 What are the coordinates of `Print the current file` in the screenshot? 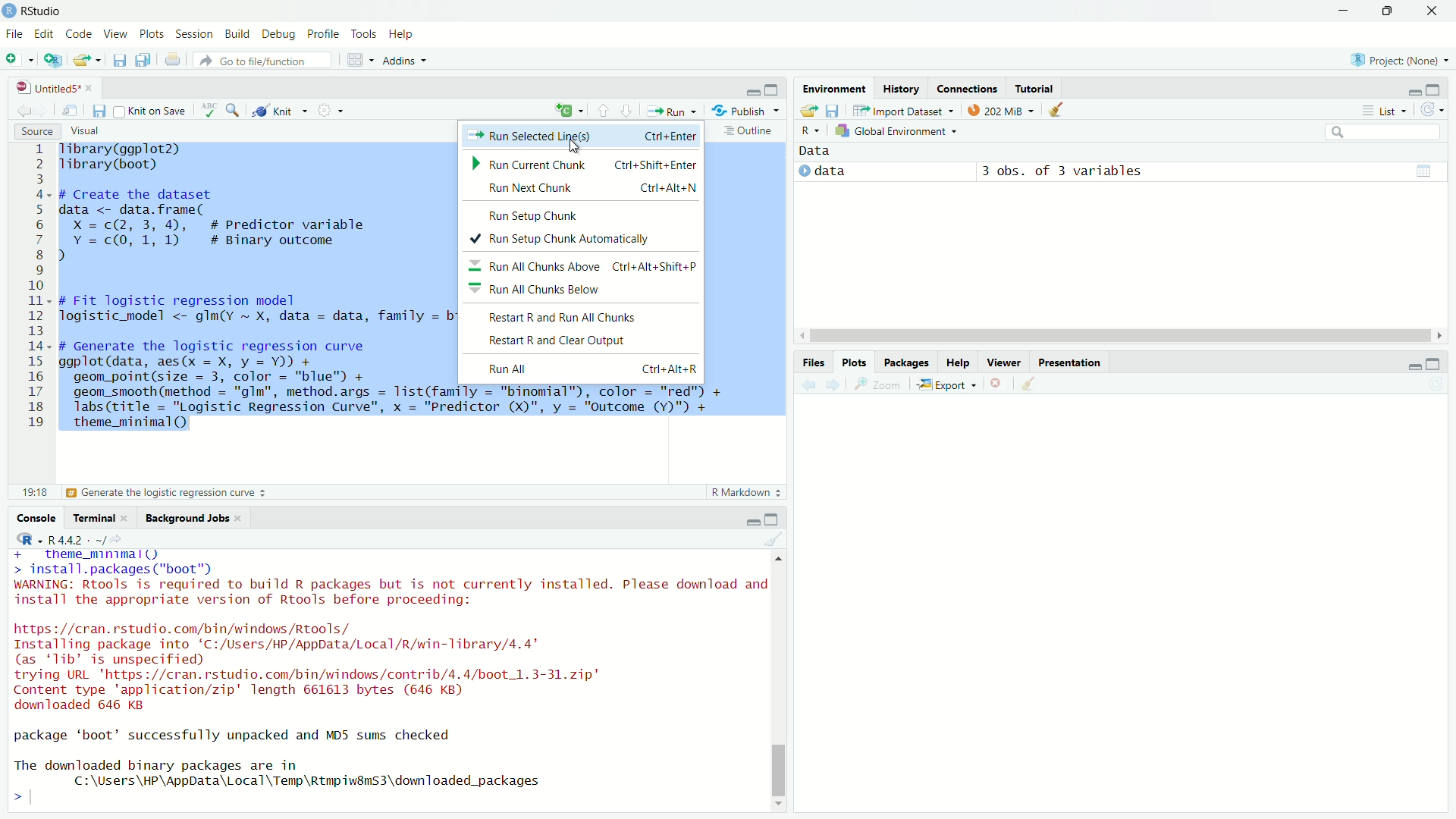 It's located at (174, 58).